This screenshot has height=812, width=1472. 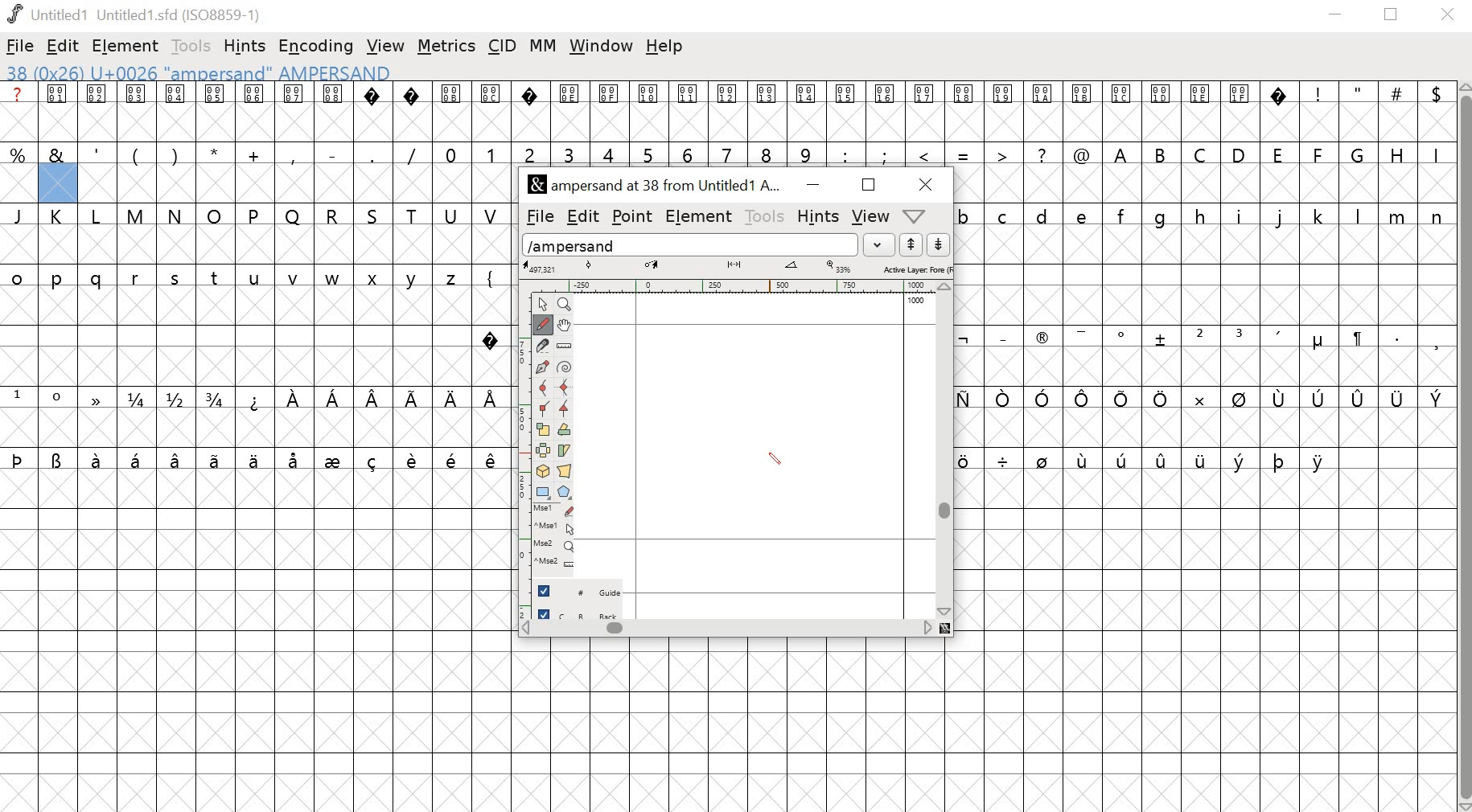 I want to click on a, so click(x=19, y=112).